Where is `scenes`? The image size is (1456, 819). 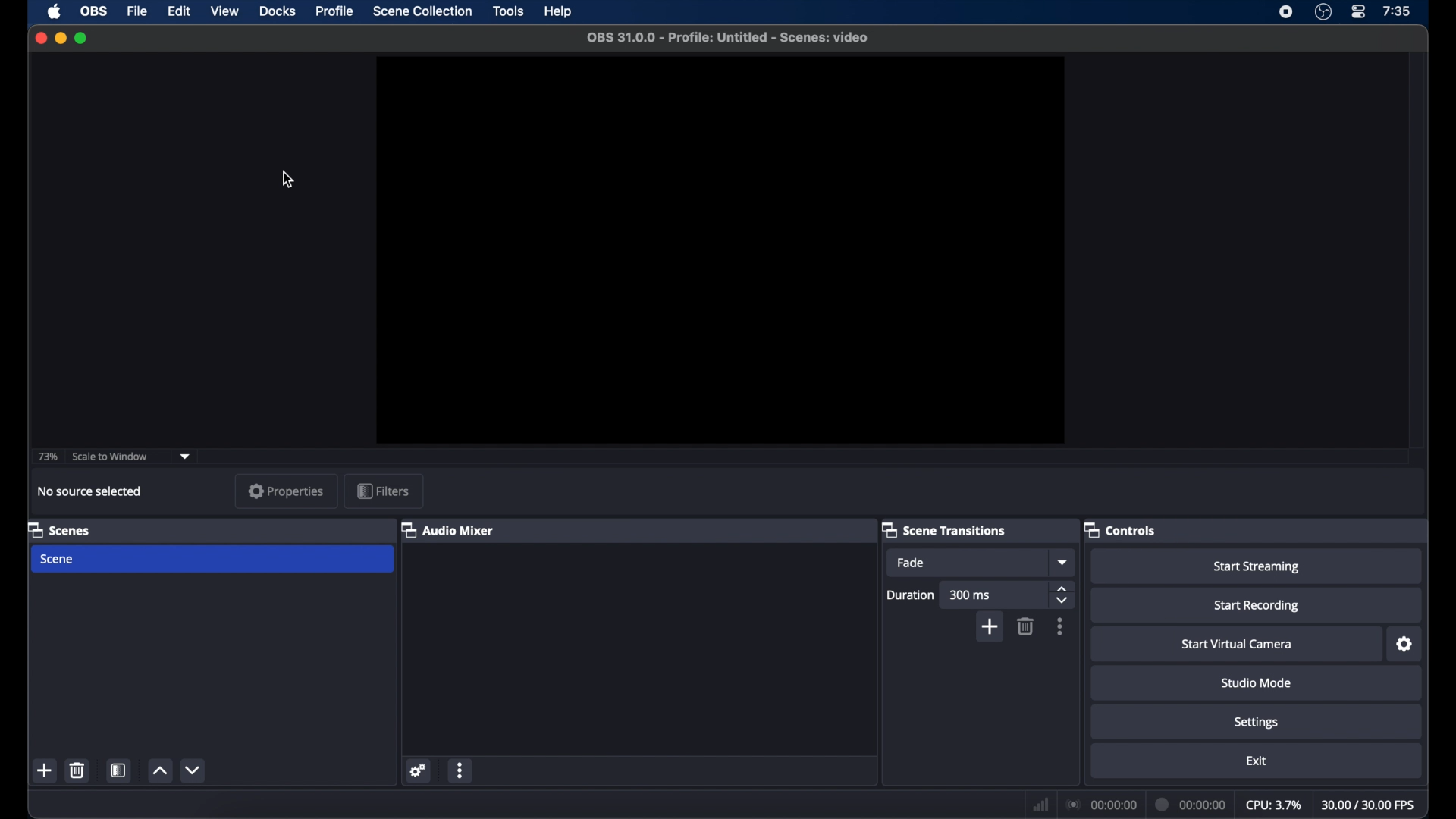
scenes is located at coordinates (58, 529).